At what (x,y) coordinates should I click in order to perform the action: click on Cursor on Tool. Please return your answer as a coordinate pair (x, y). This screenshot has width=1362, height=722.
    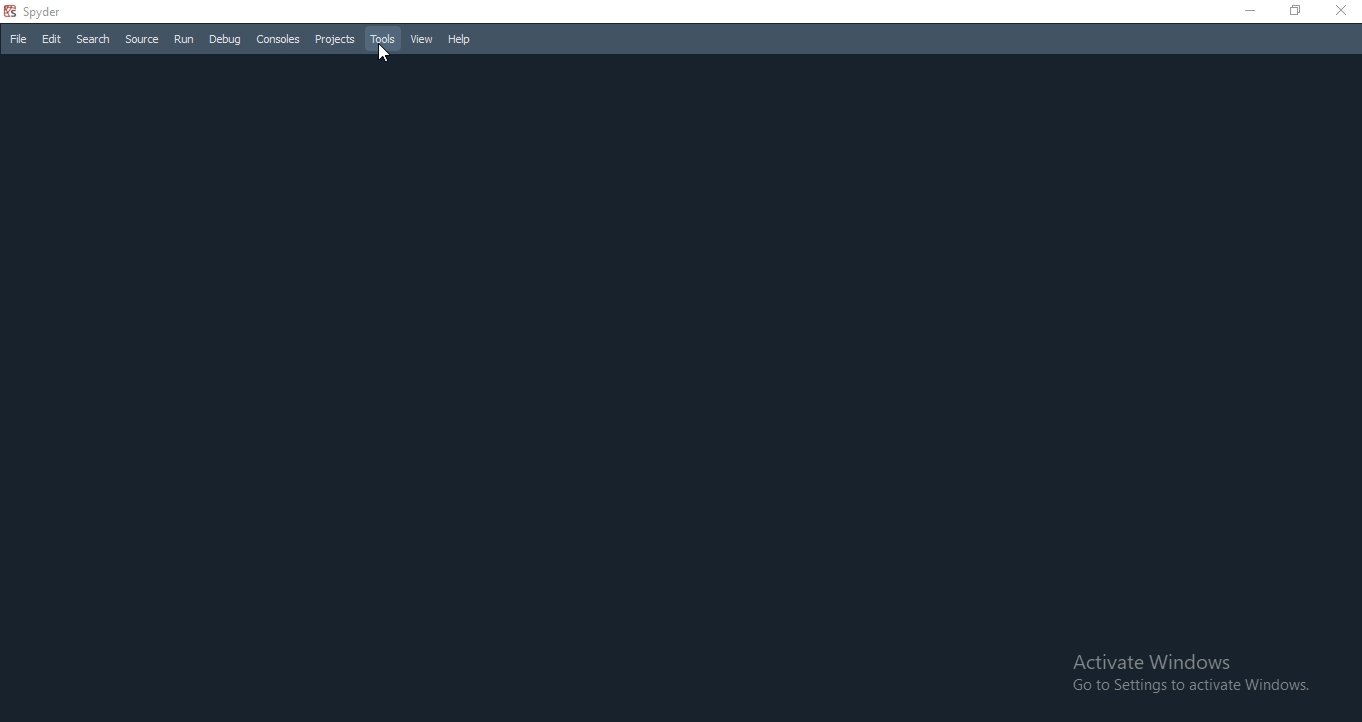
    Looking at the image, I should click on (386, 58).